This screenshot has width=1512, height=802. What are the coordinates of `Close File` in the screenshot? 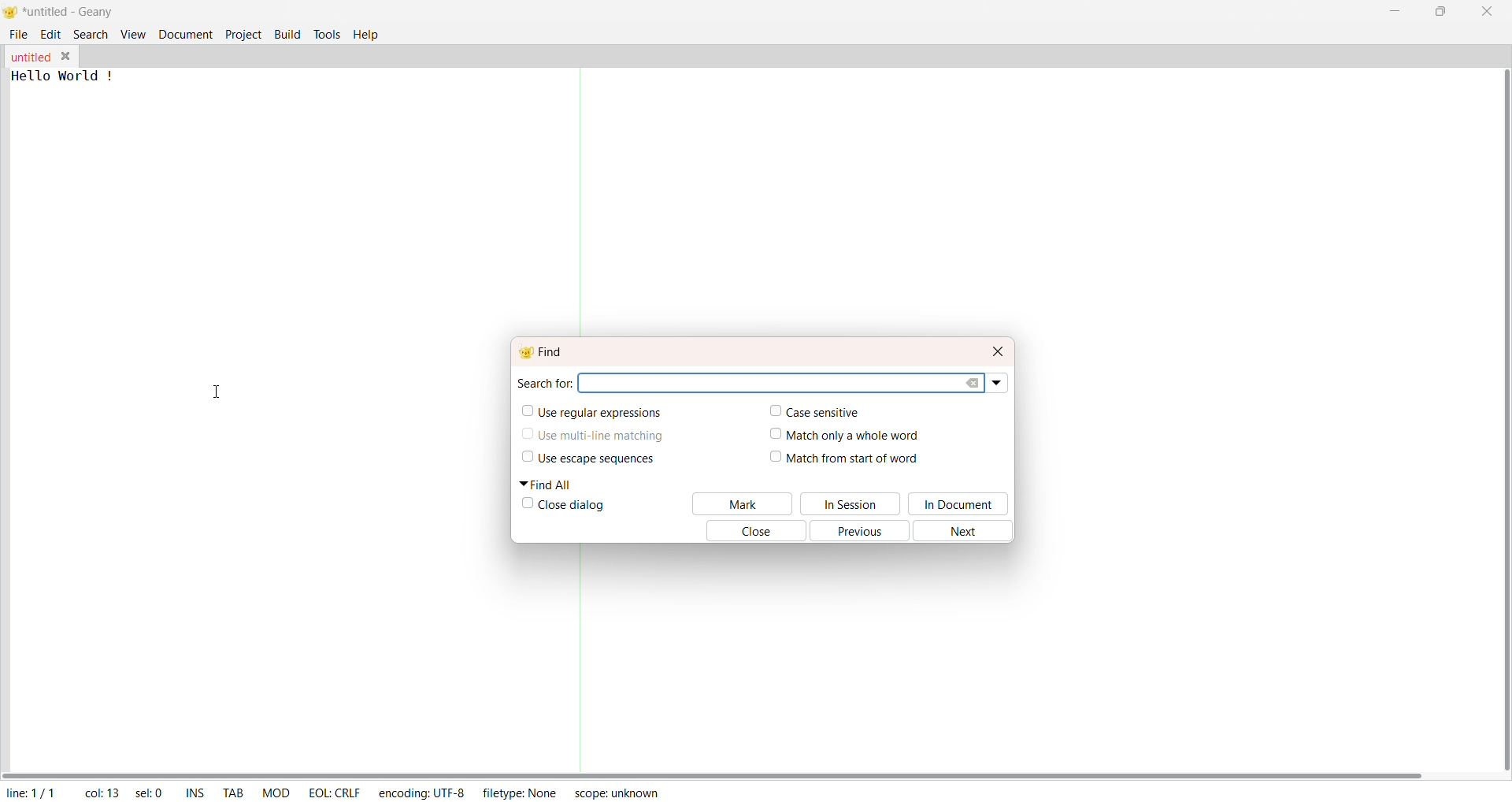 It's located at (66, 55).